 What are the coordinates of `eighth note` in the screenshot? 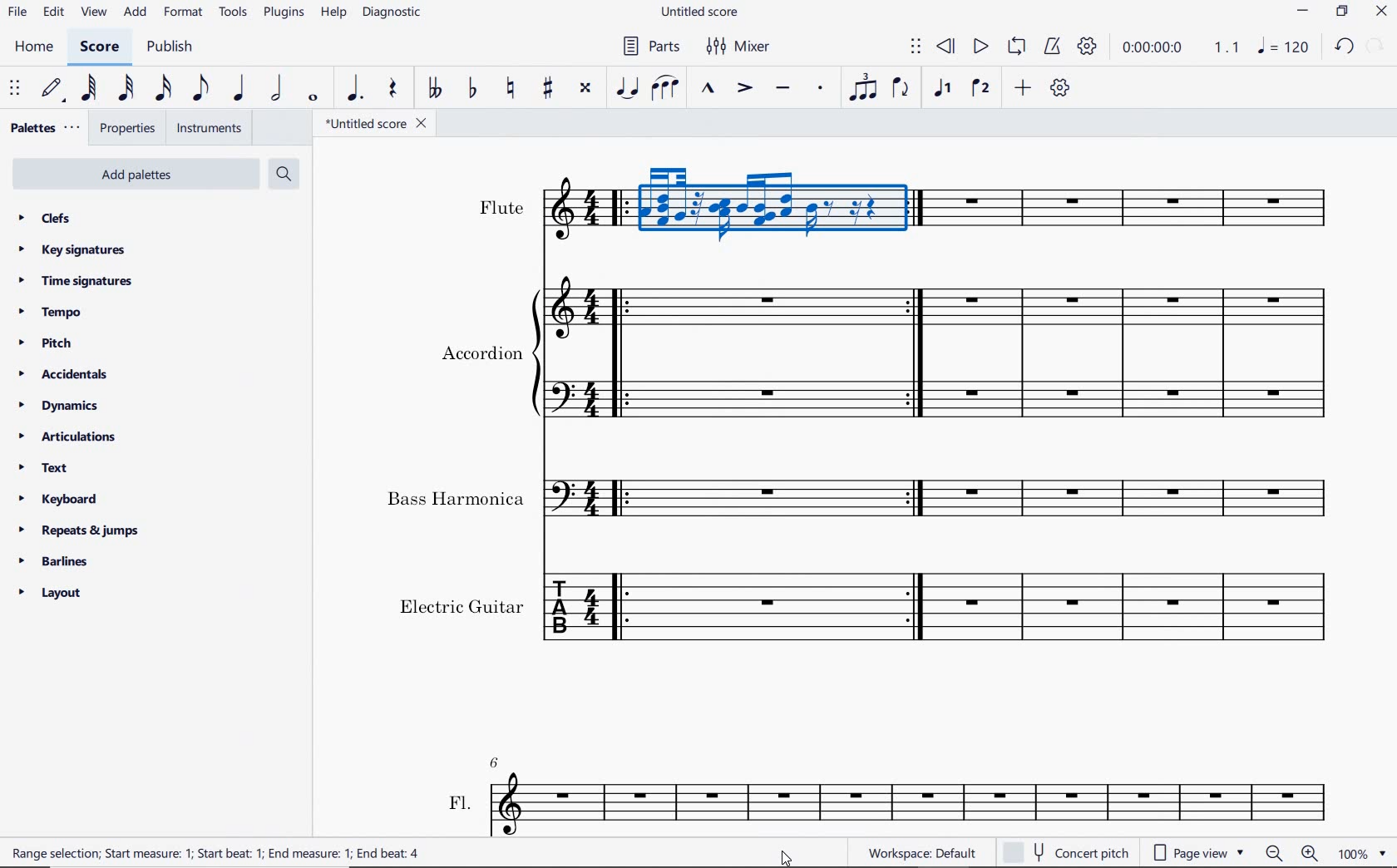 It's located at (205, 89).